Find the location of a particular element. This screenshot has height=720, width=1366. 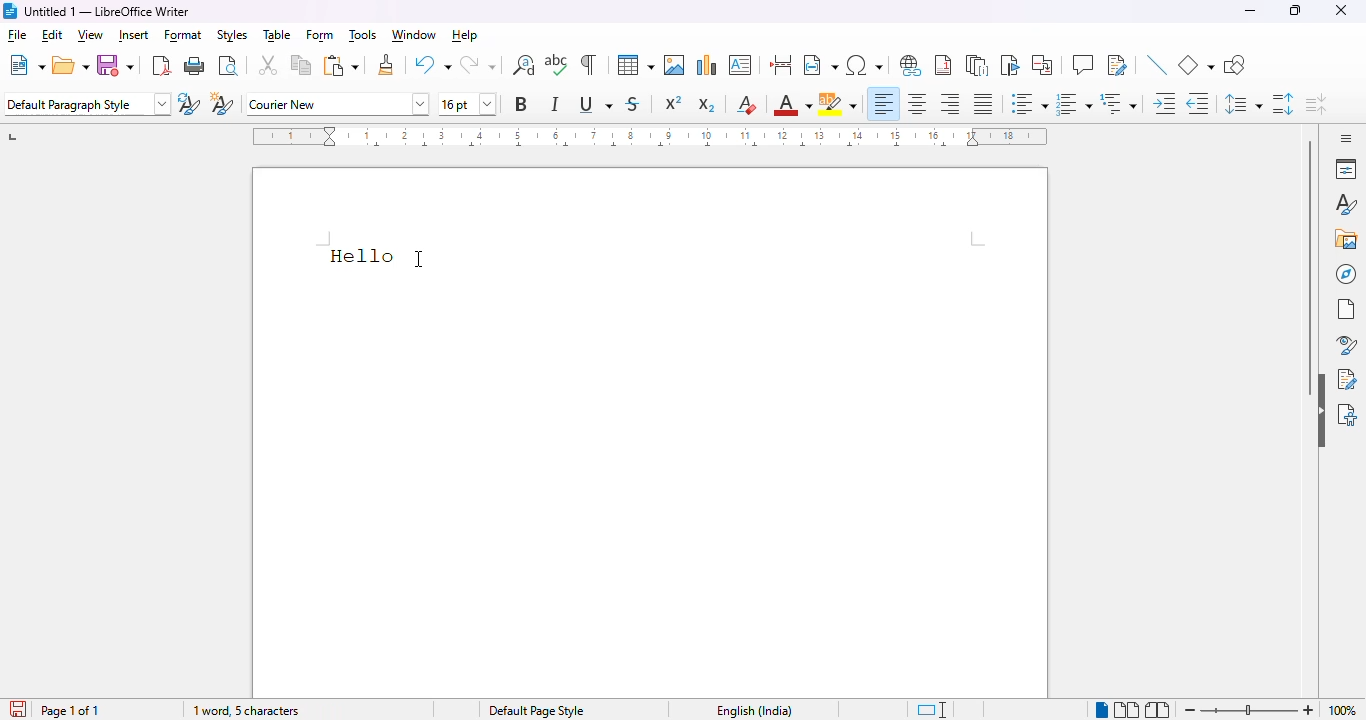

cut is located at coordinates (268, 65).